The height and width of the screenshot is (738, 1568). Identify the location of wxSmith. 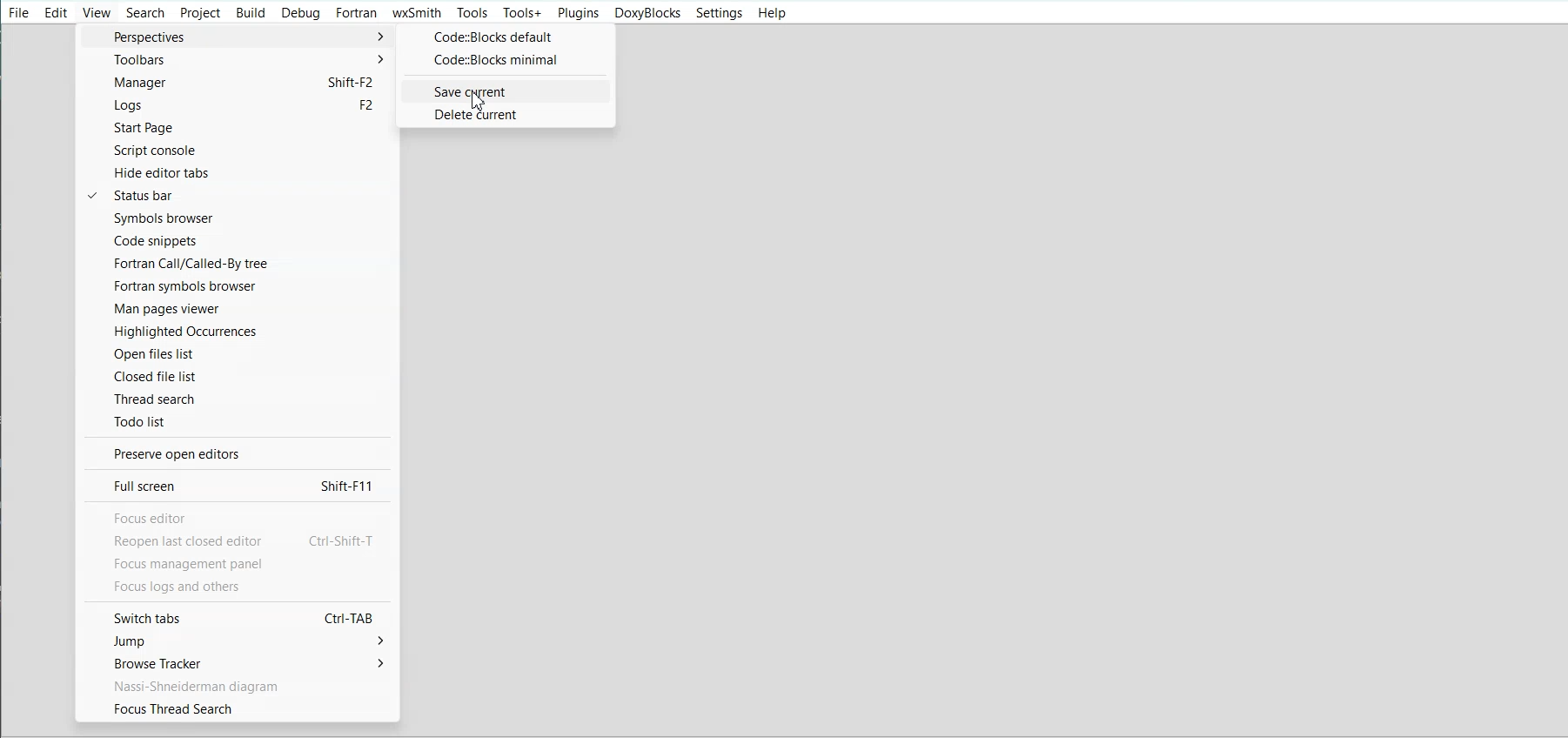
(417, 13).